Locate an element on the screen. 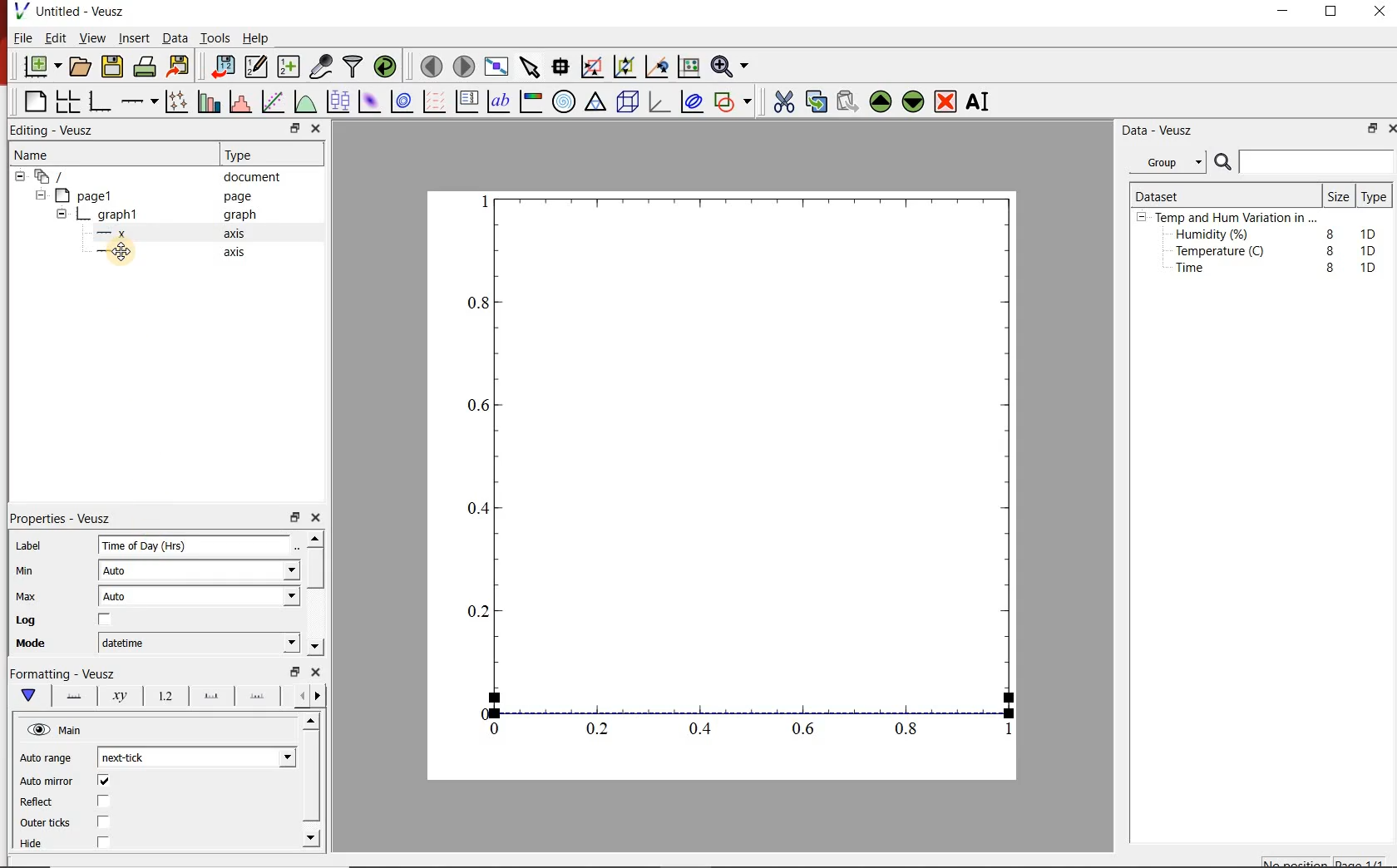  minimize is located at coordinates (1289, 12).